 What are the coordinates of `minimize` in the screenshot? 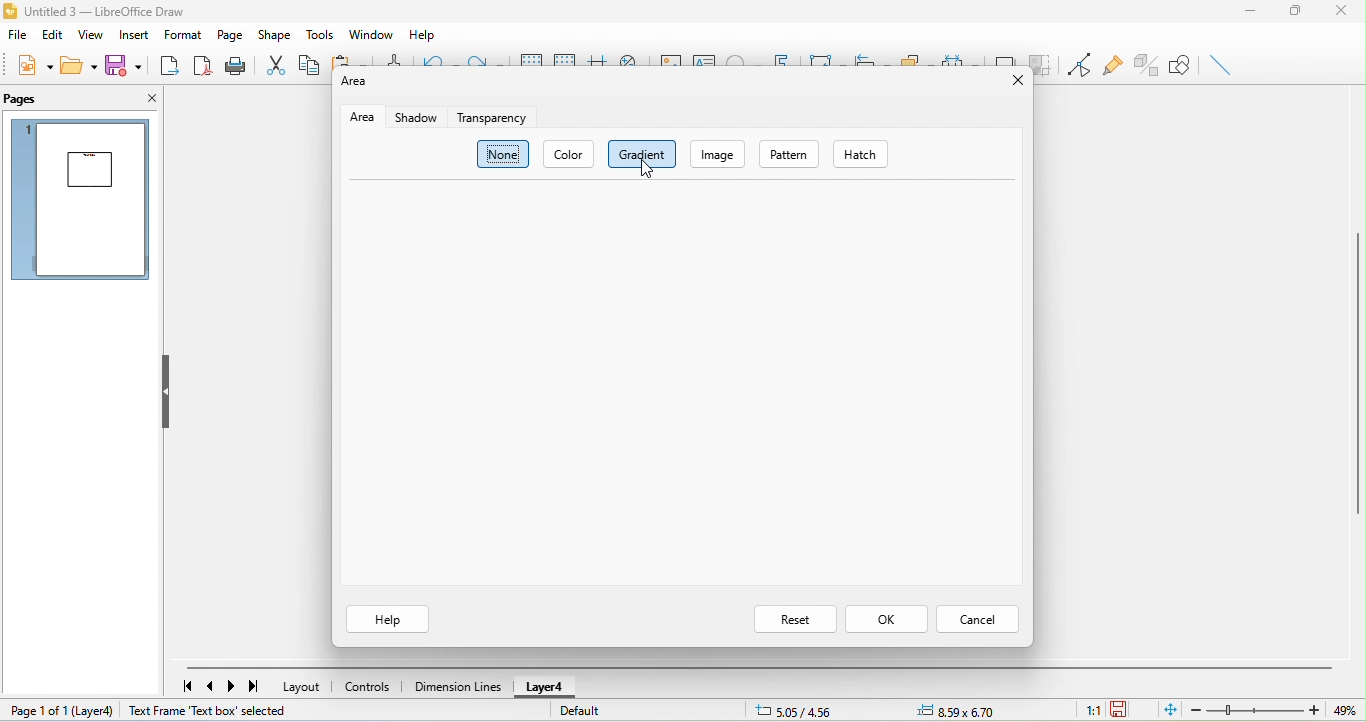 It's located at (1253, 11).